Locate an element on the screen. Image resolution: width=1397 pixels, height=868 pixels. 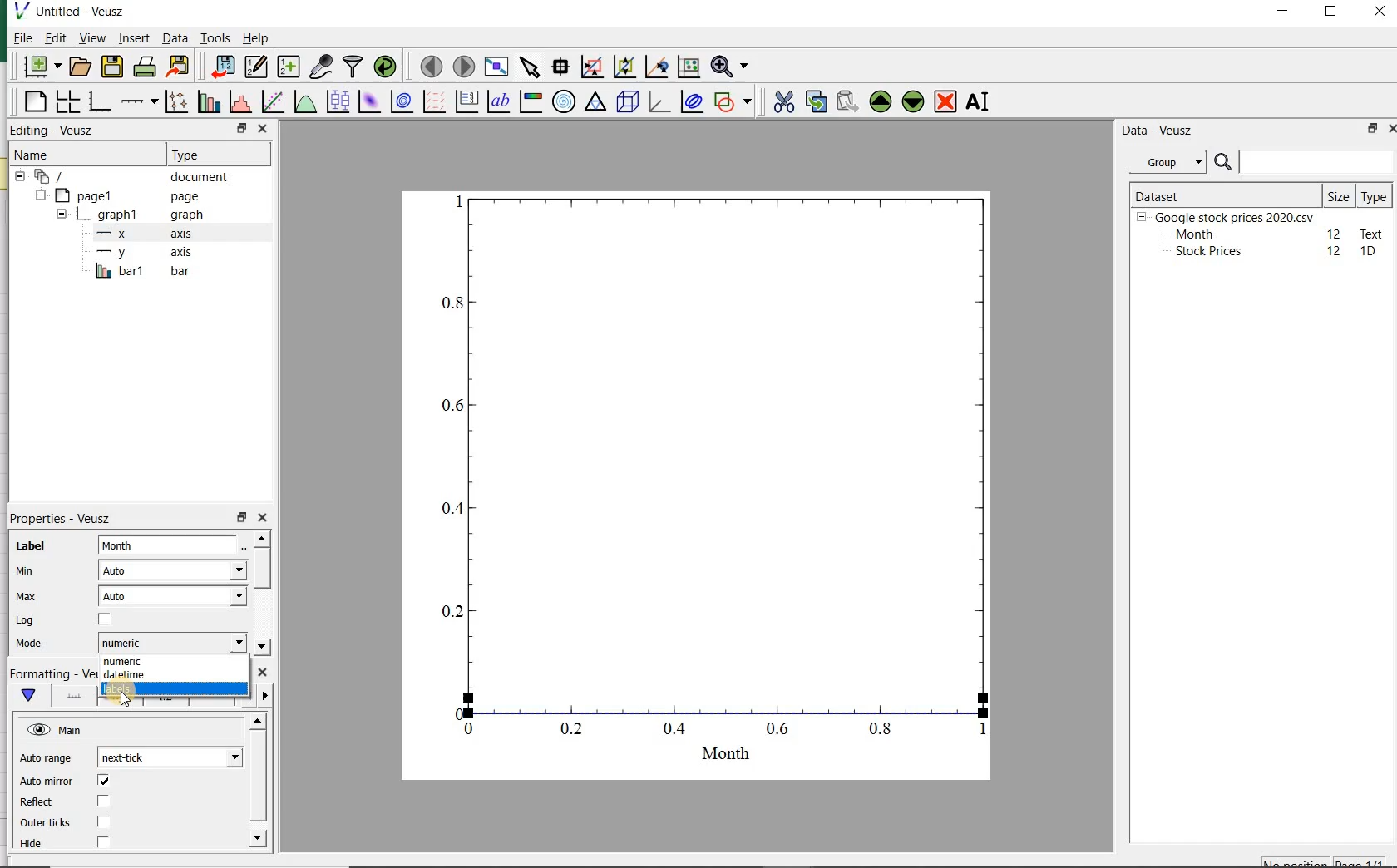
plot bar charts is located at coordinates (206, 103).